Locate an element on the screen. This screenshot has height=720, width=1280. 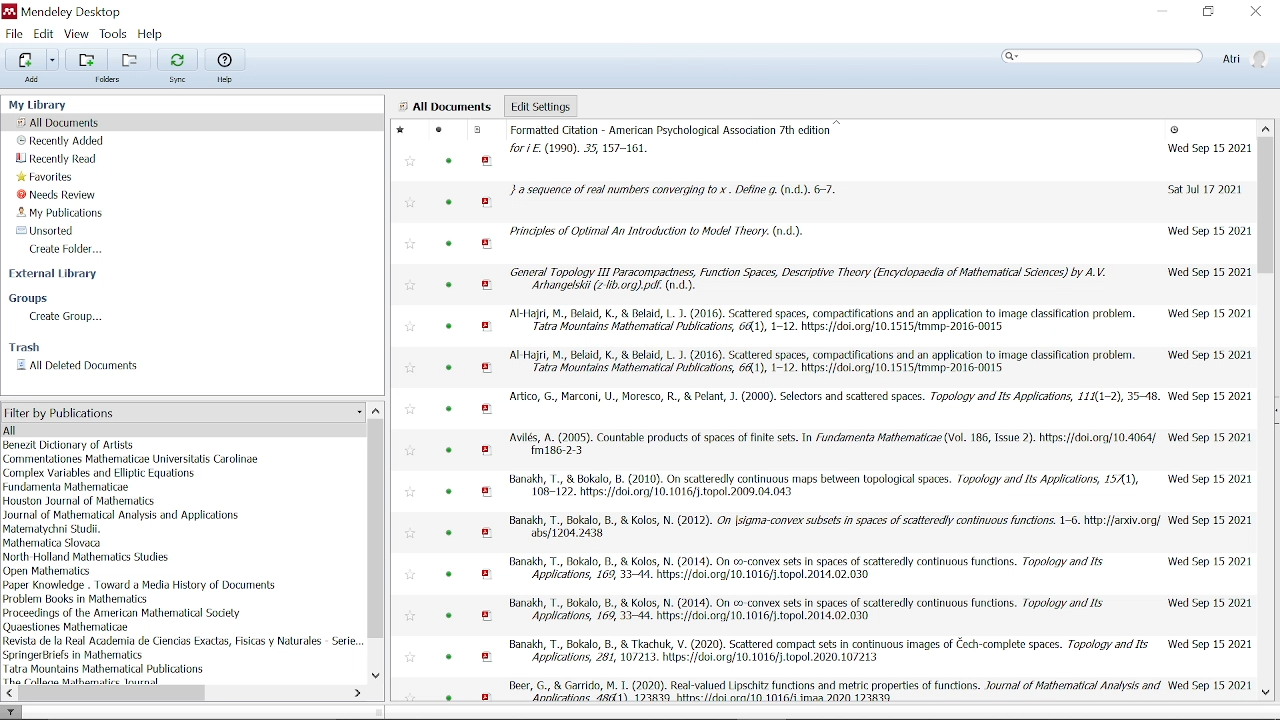
Filter by publication is located at coordinates (182, 413).